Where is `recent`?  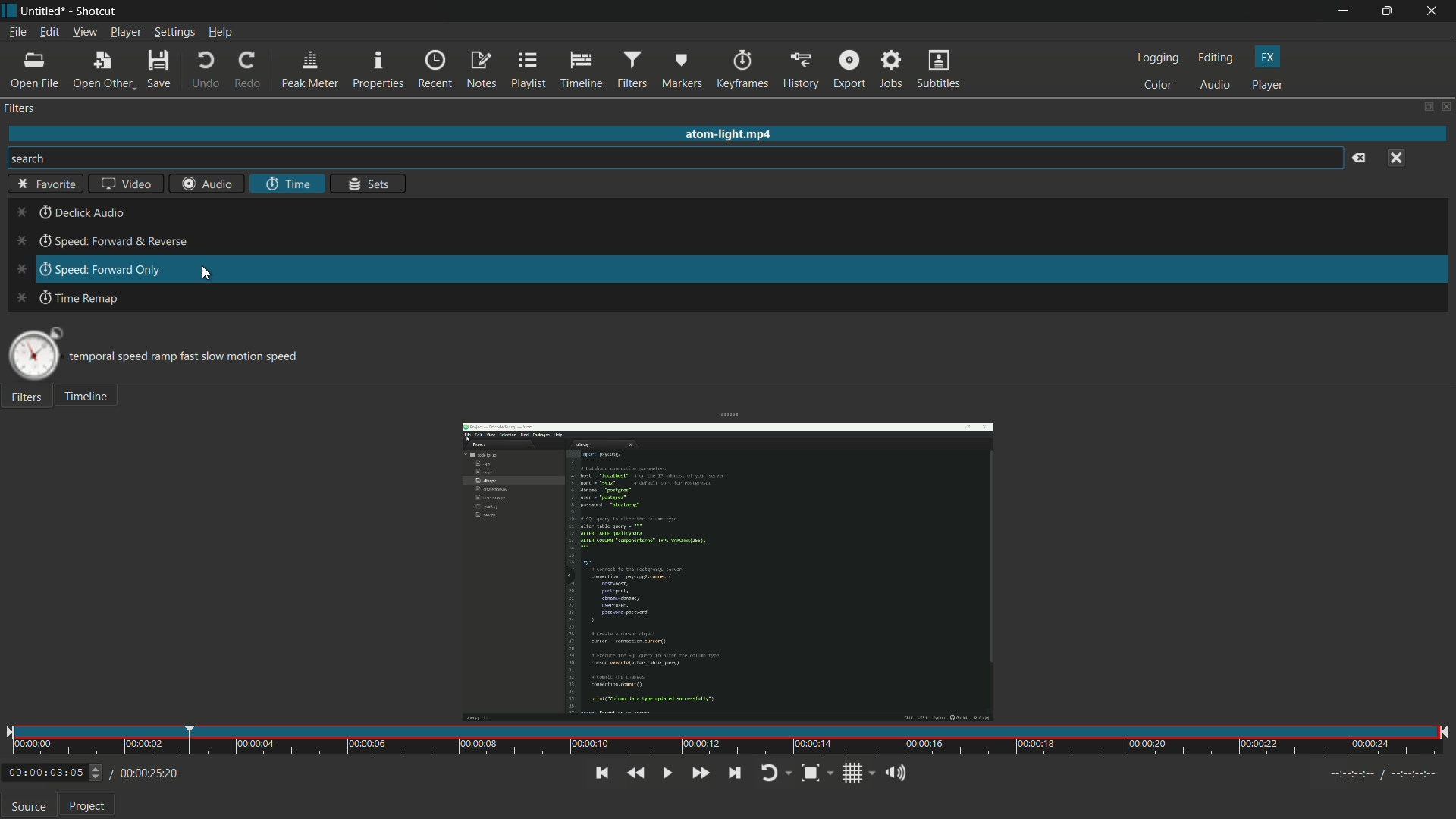
recent is located at coordinates (435, 71).